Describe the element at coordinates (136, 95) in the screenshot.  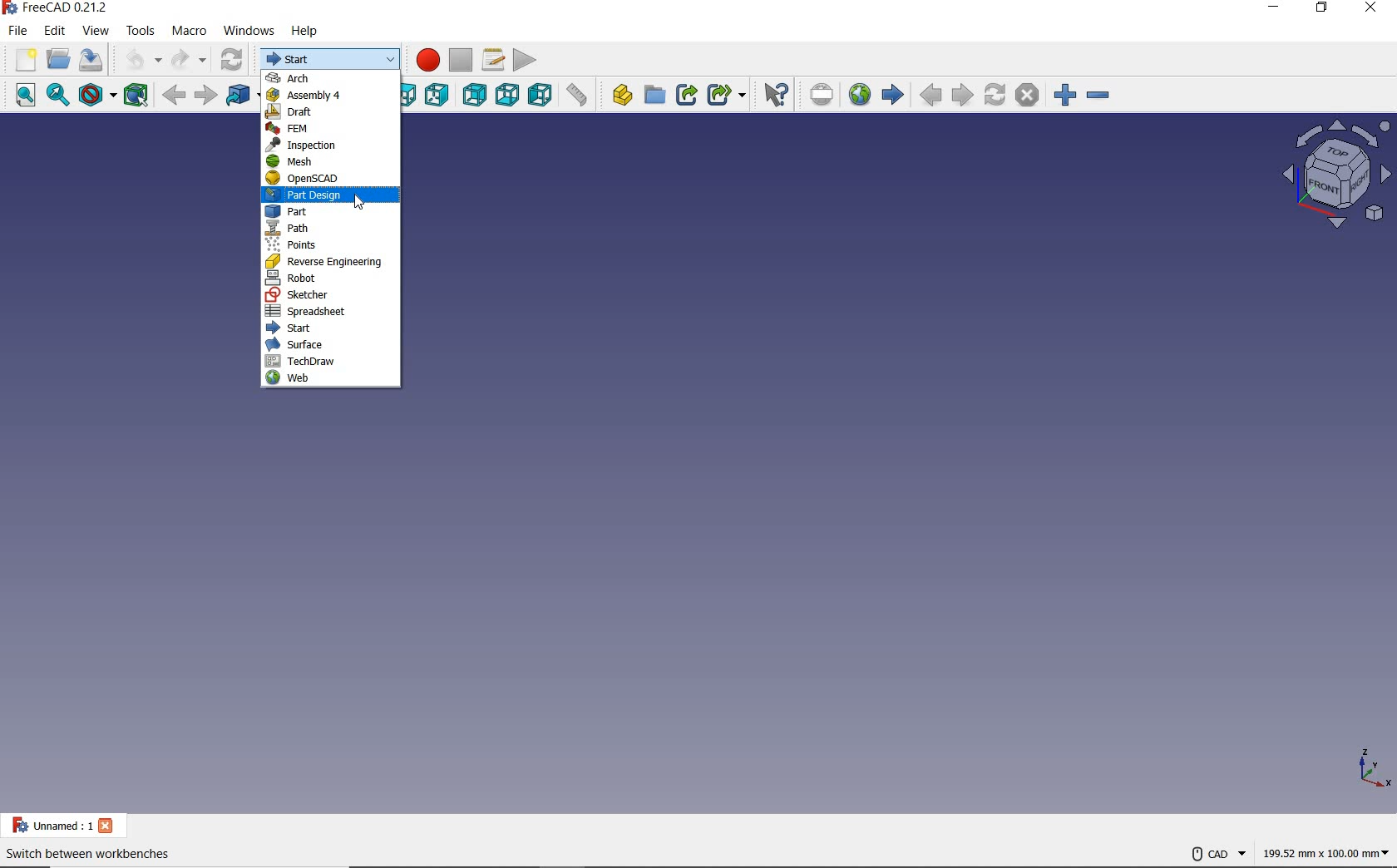
I see `BOUNDING BOX` at that location.